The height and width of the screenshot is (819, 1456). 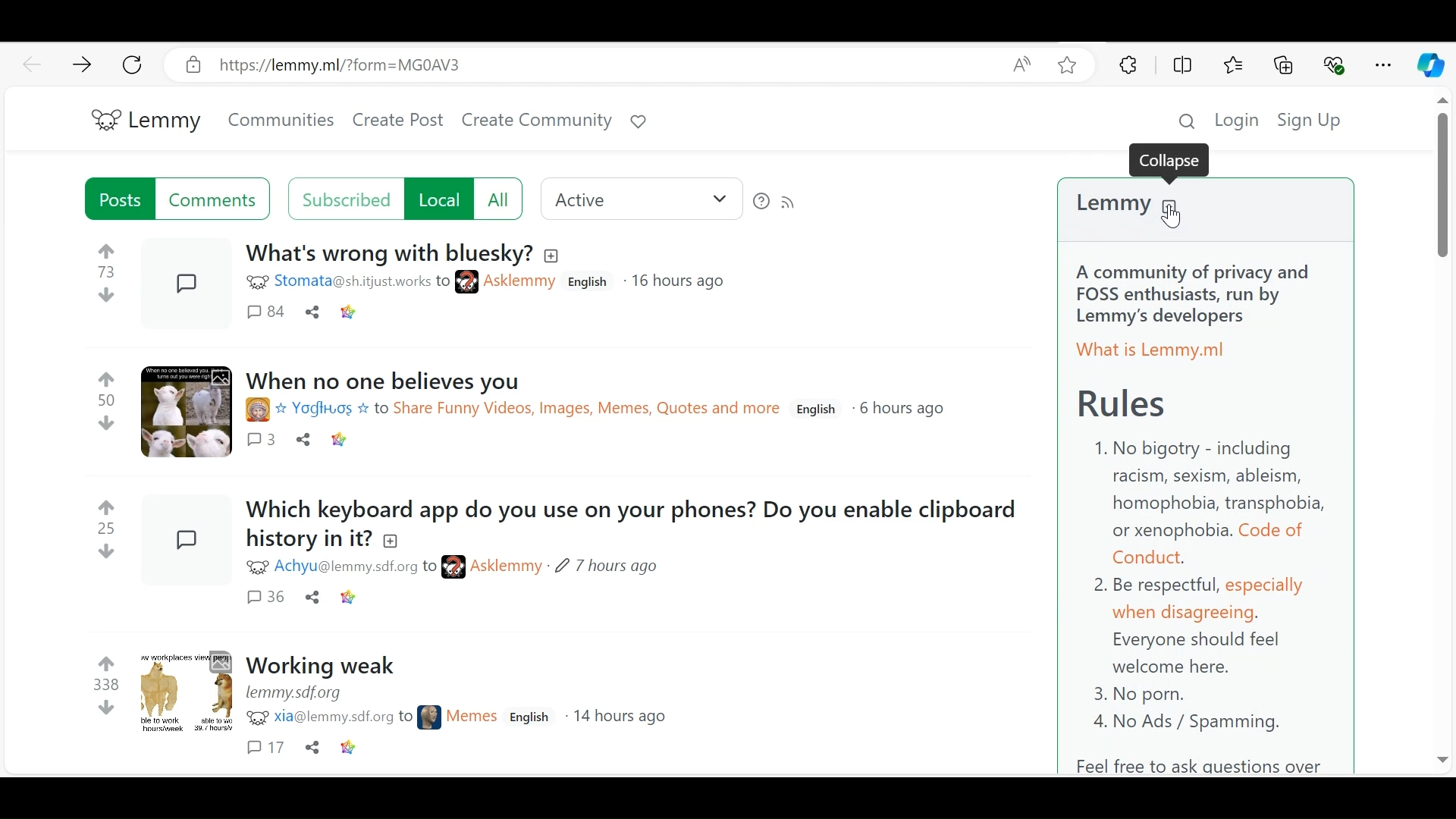 I want to click on Search, so click(x=1184, y=119).